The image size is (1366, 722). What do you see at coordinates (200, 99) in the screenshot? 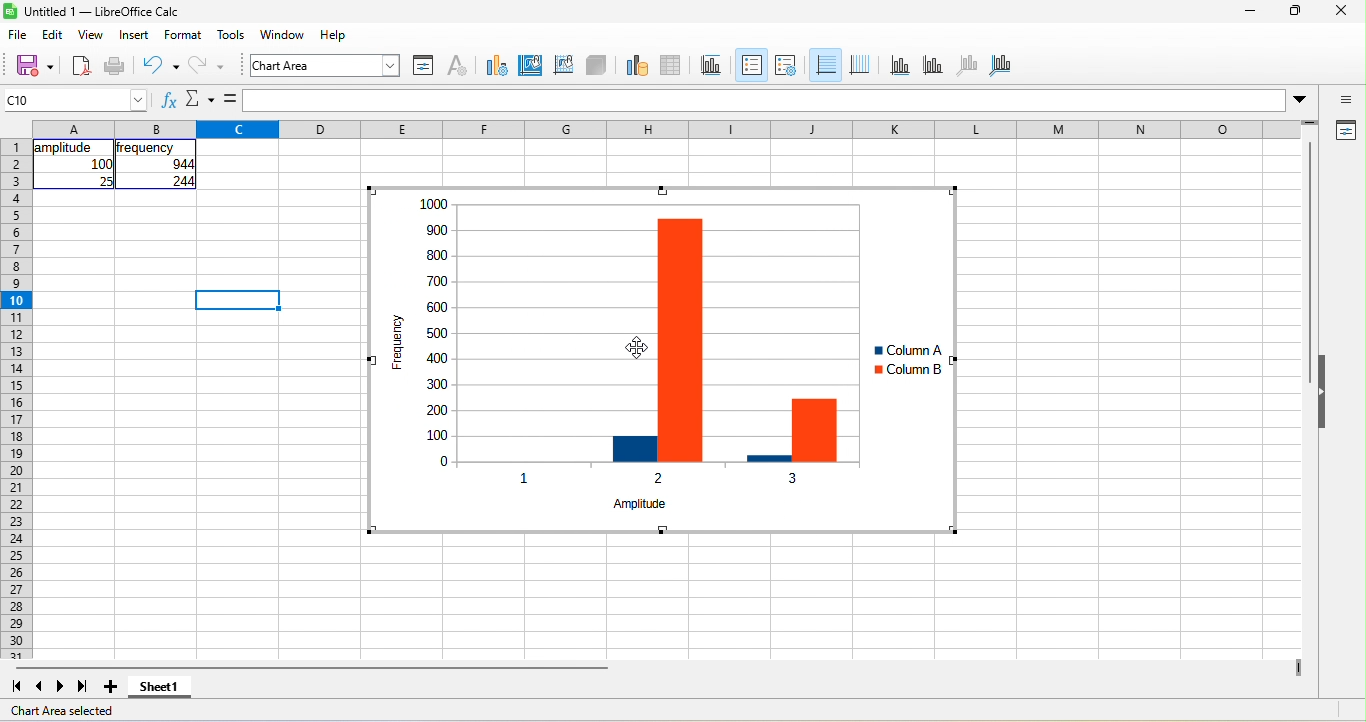
I see `Function options` at bounding box center [200, 99].